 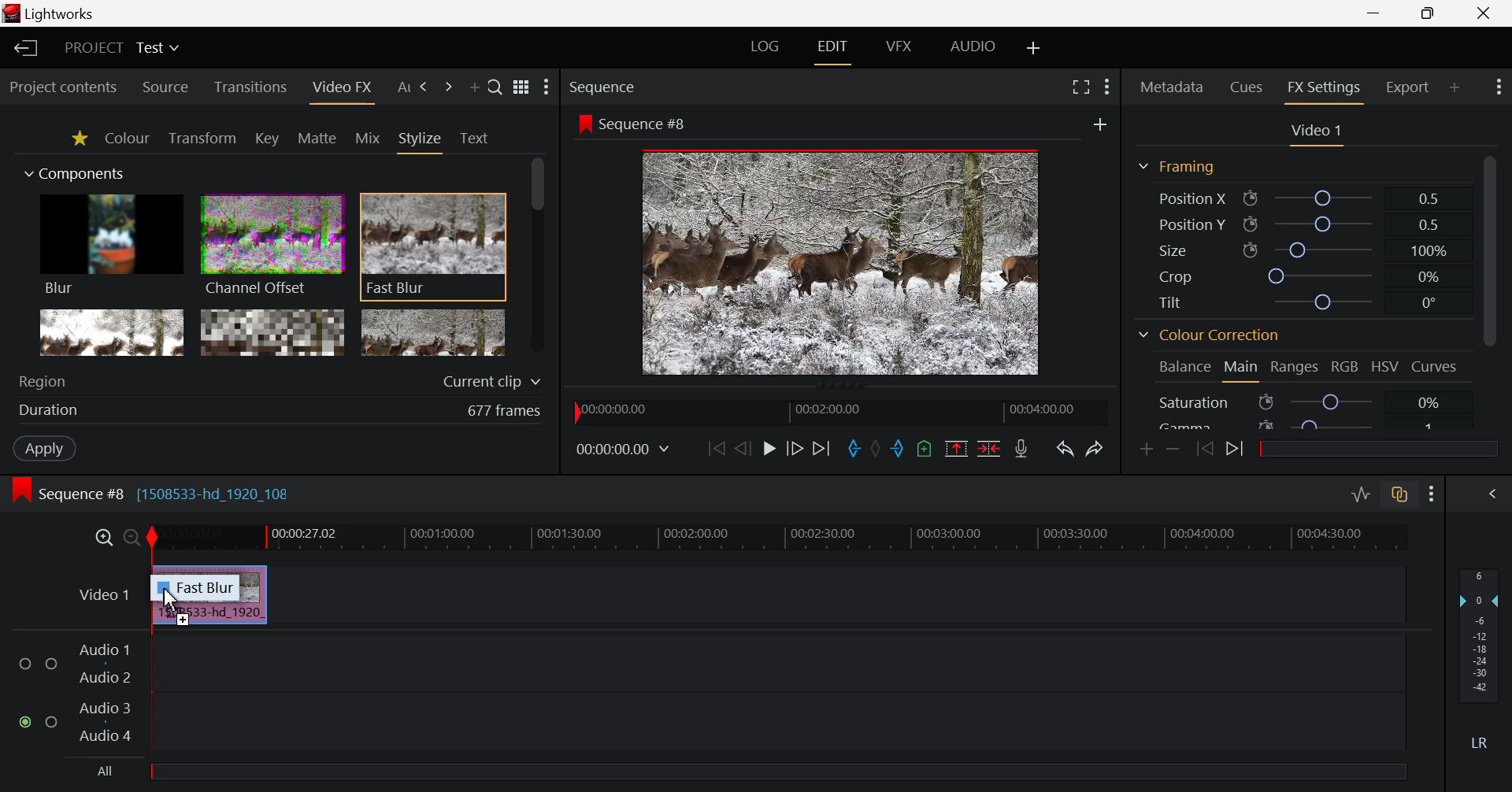 I want to click on Source, so click(x=173, y=86).